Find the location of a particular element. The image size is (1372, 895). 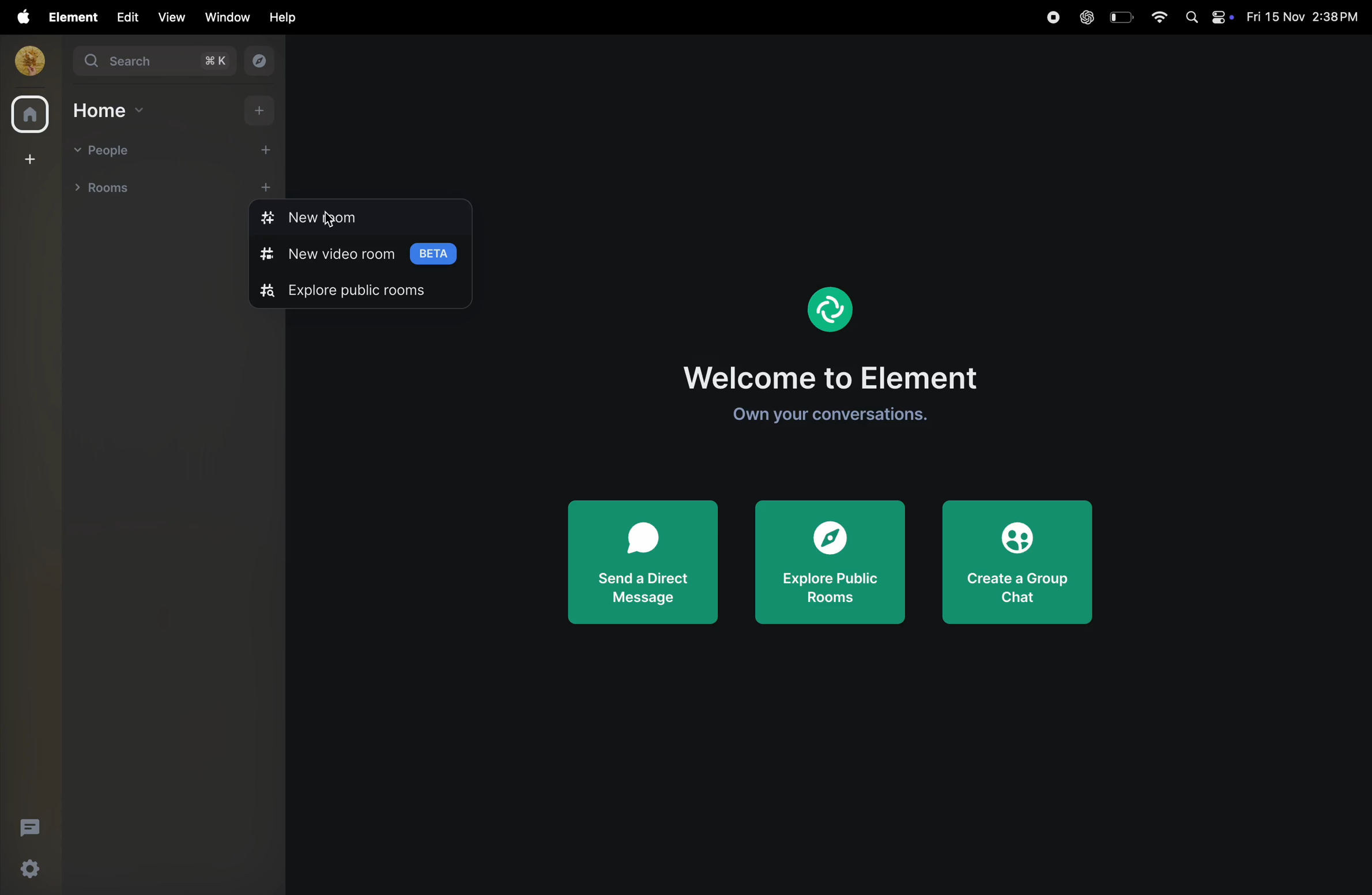

element menu is located at coordinates (70, 16).